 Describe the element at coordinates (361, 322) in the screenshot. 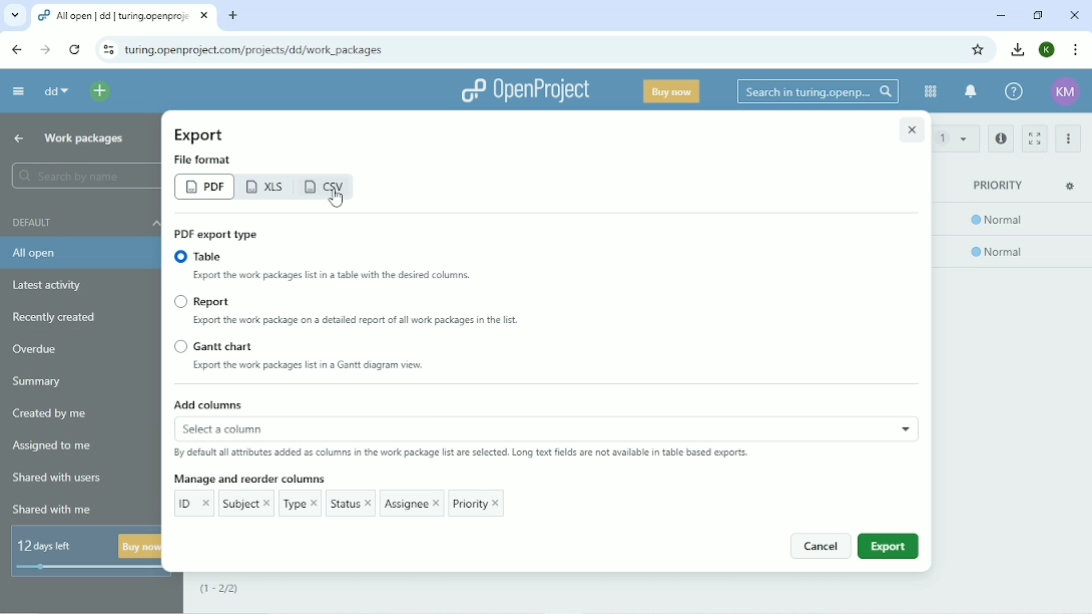

I see `Export the work package on a detailed report of all work packages in the list` at that location.